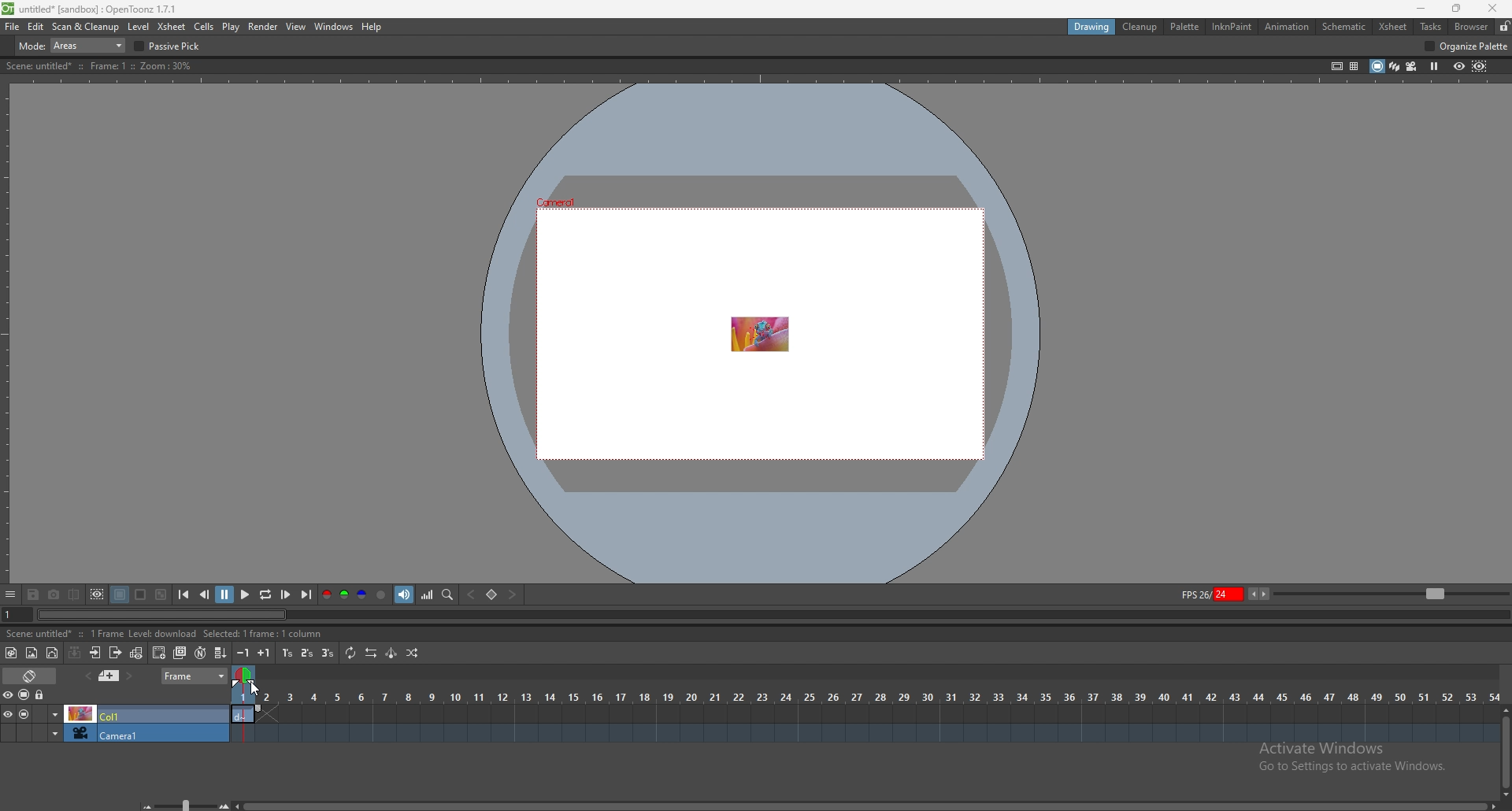  I want to click on create blank drawing, so click(159, 653).